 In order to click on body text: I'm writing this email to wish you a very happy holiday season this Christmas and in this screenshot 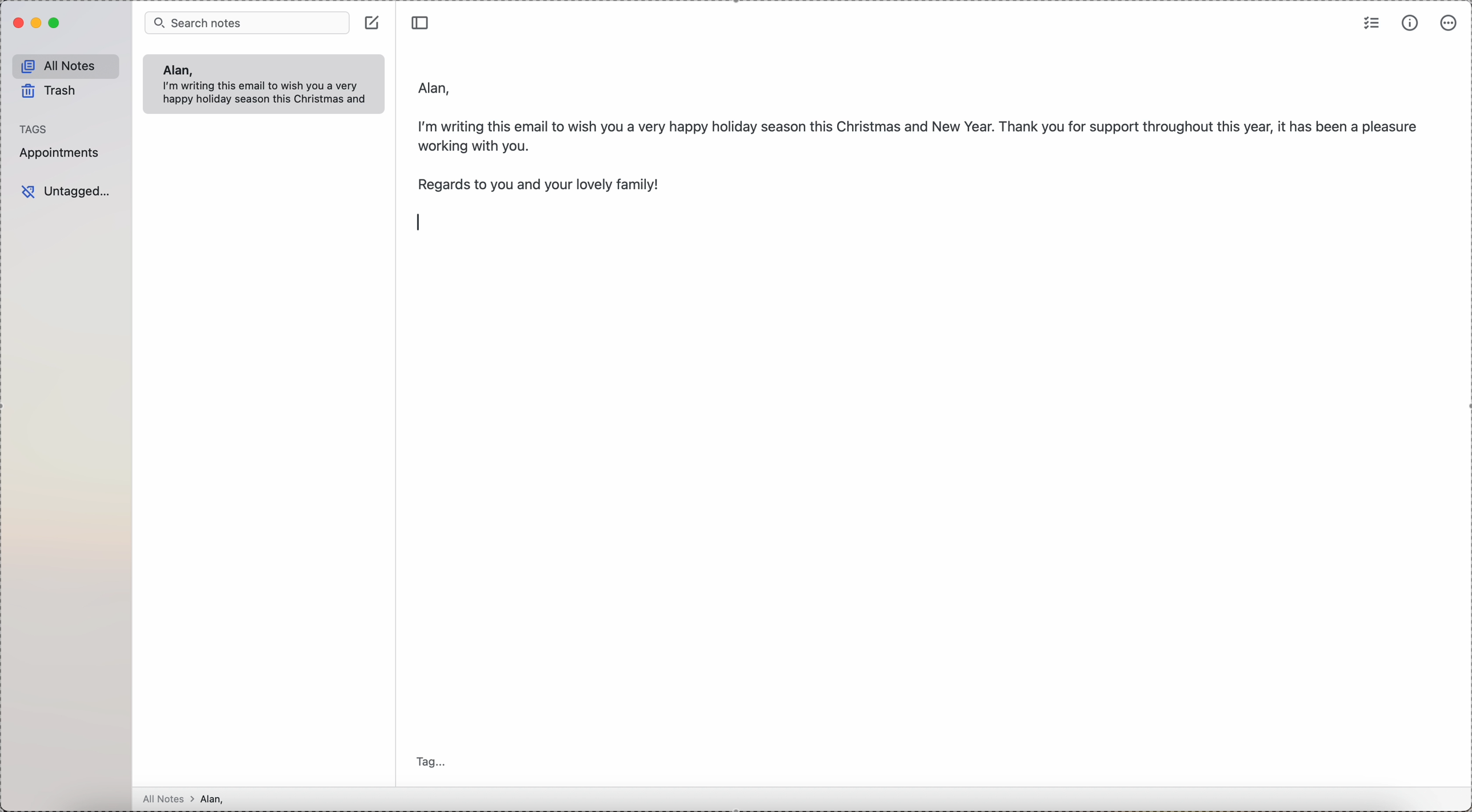, I will do `click(269, 94)`.